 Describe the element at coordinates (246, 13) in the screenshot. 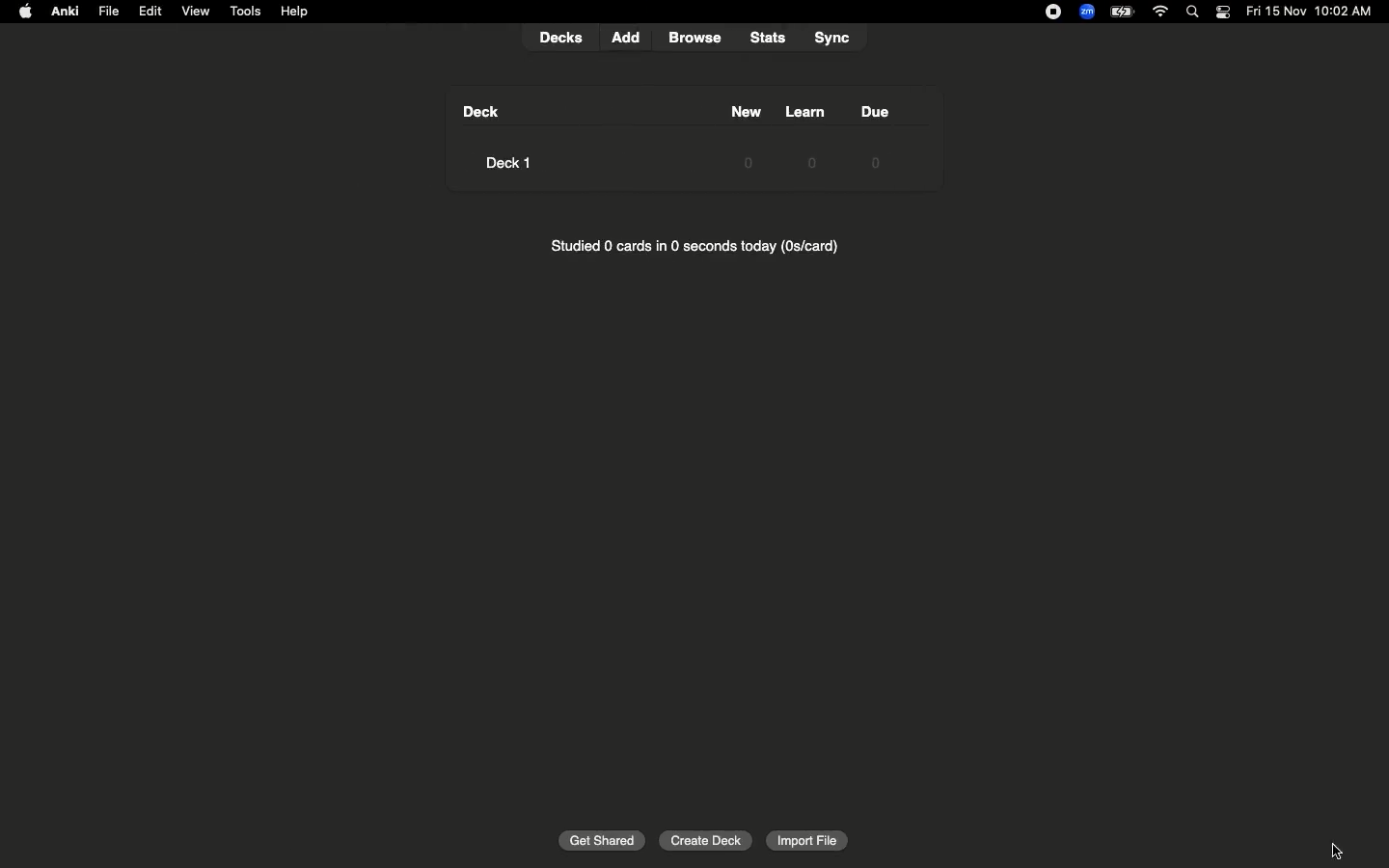

I see `Tools` at that location.